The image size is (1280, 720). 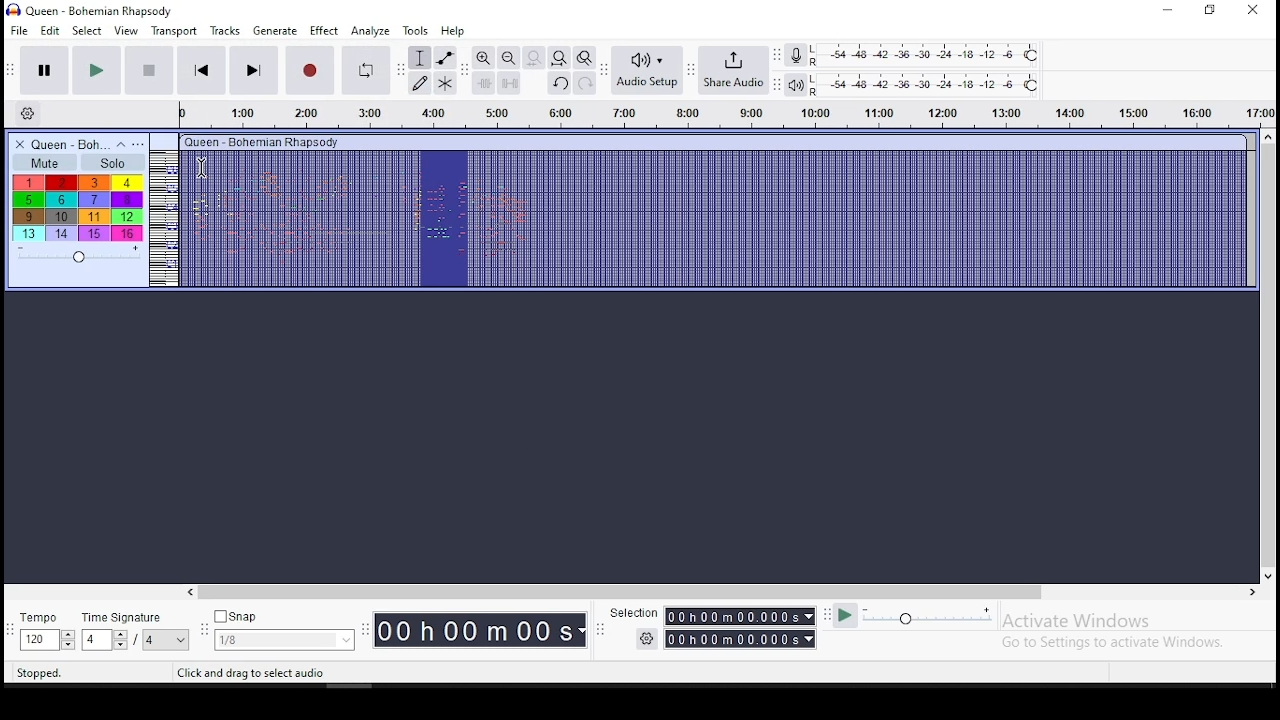 I want to click on tracks, so click(x=225, y=31).